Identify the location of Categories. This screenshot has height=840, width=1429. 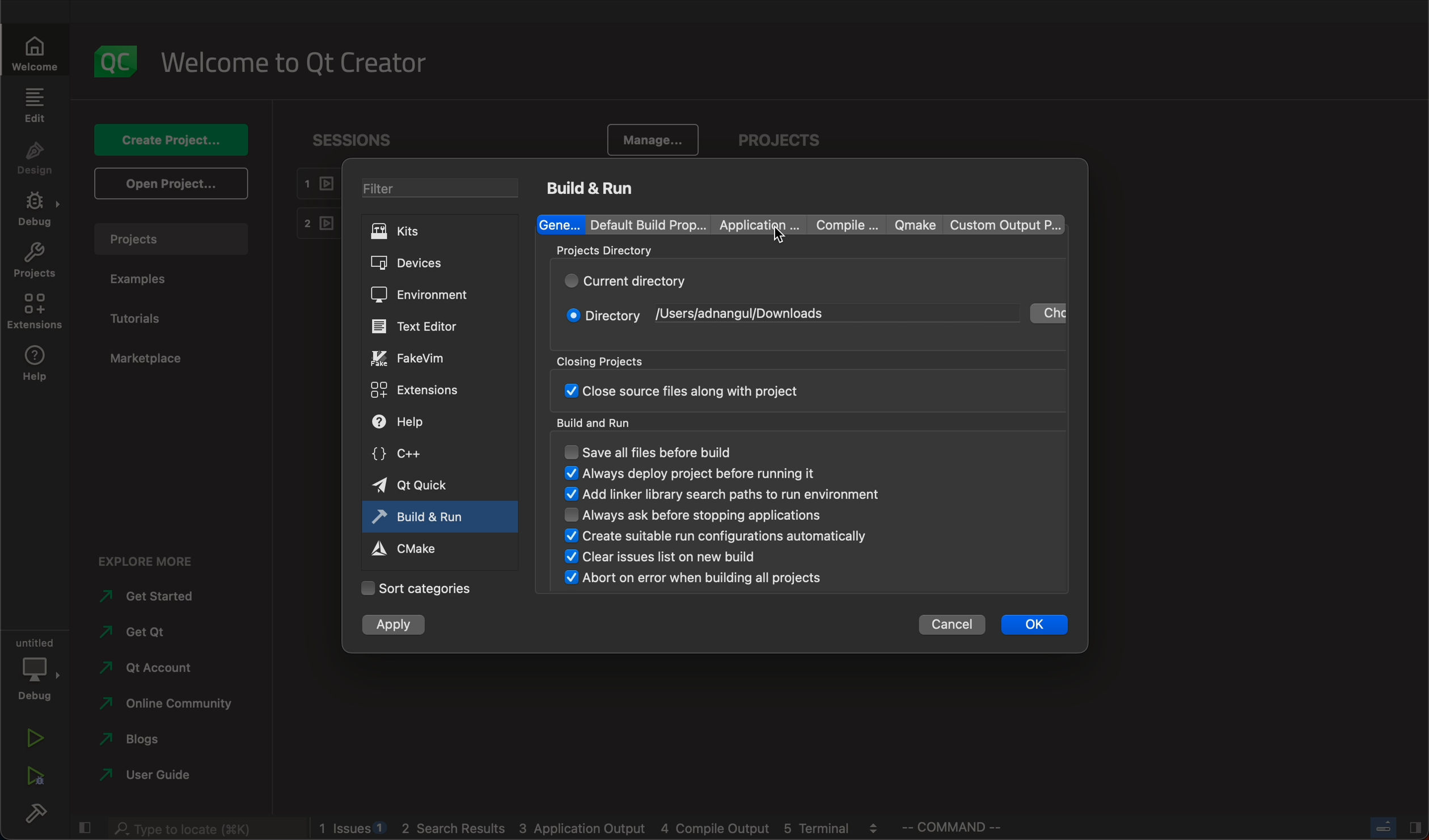
(424, 587).